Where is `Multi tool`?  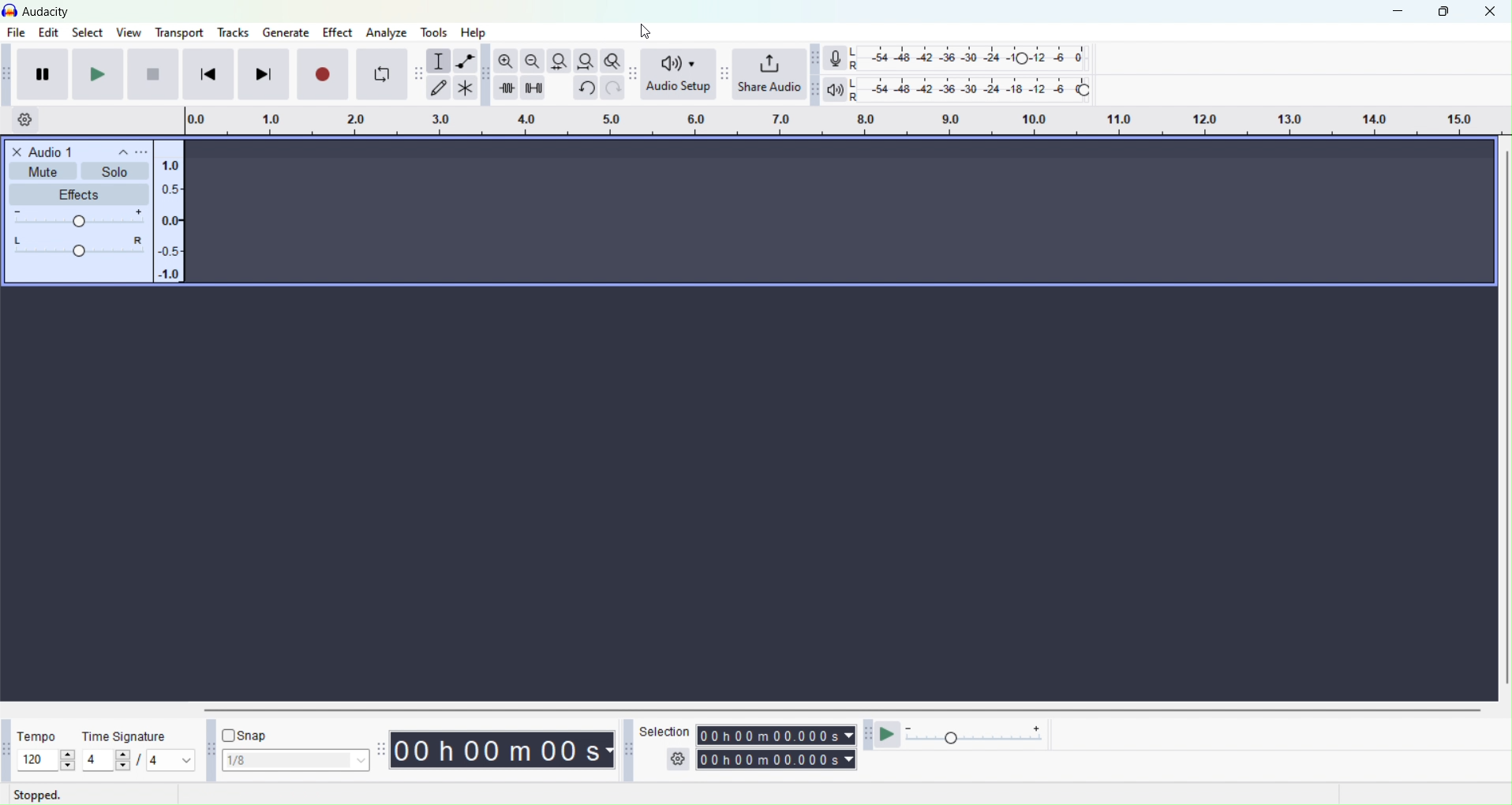
Multi tool is located at coordinates (462, 87).